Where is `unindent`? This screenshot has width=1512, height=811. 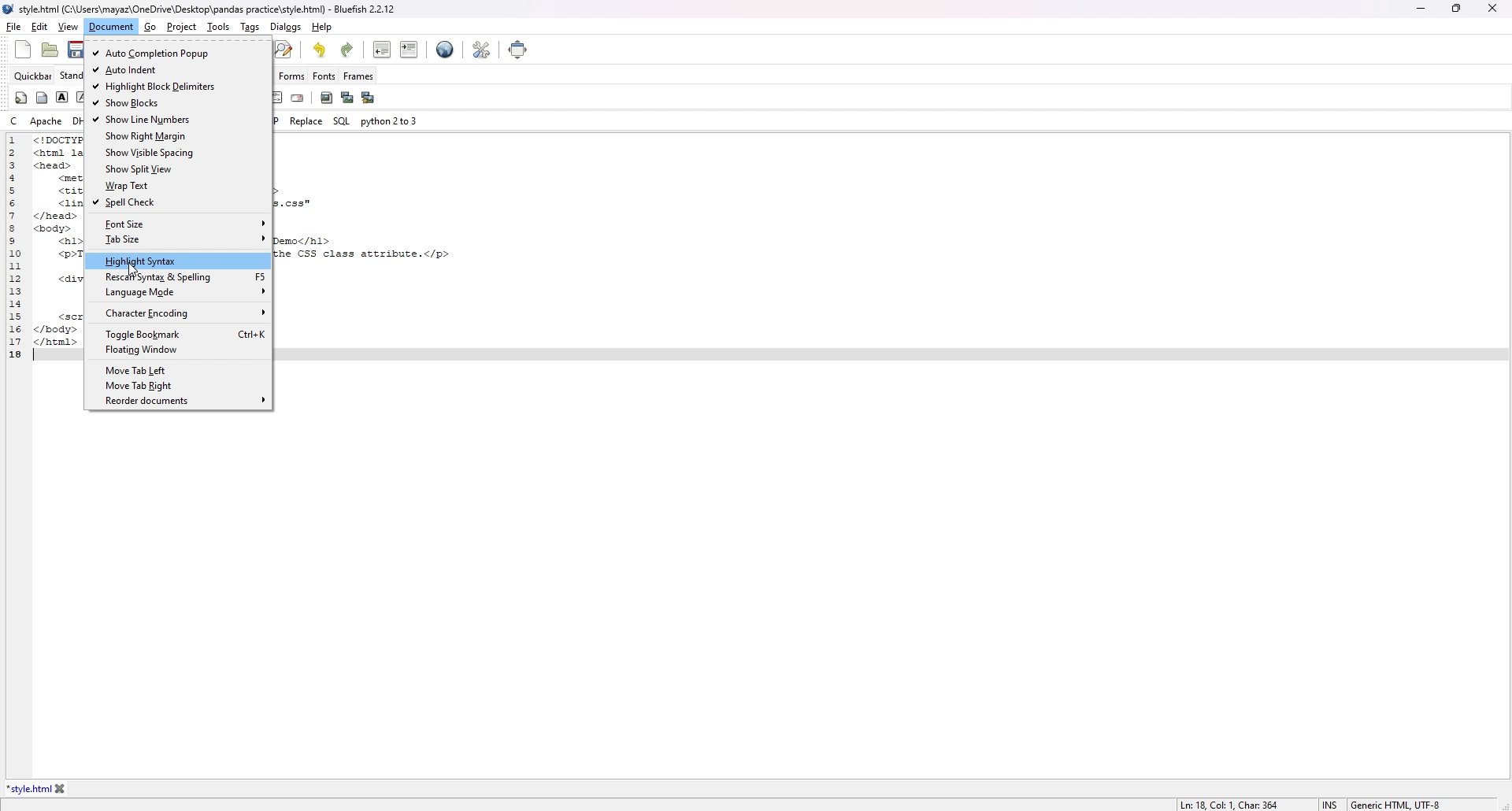
unindent is located at coordinates (383, 50).